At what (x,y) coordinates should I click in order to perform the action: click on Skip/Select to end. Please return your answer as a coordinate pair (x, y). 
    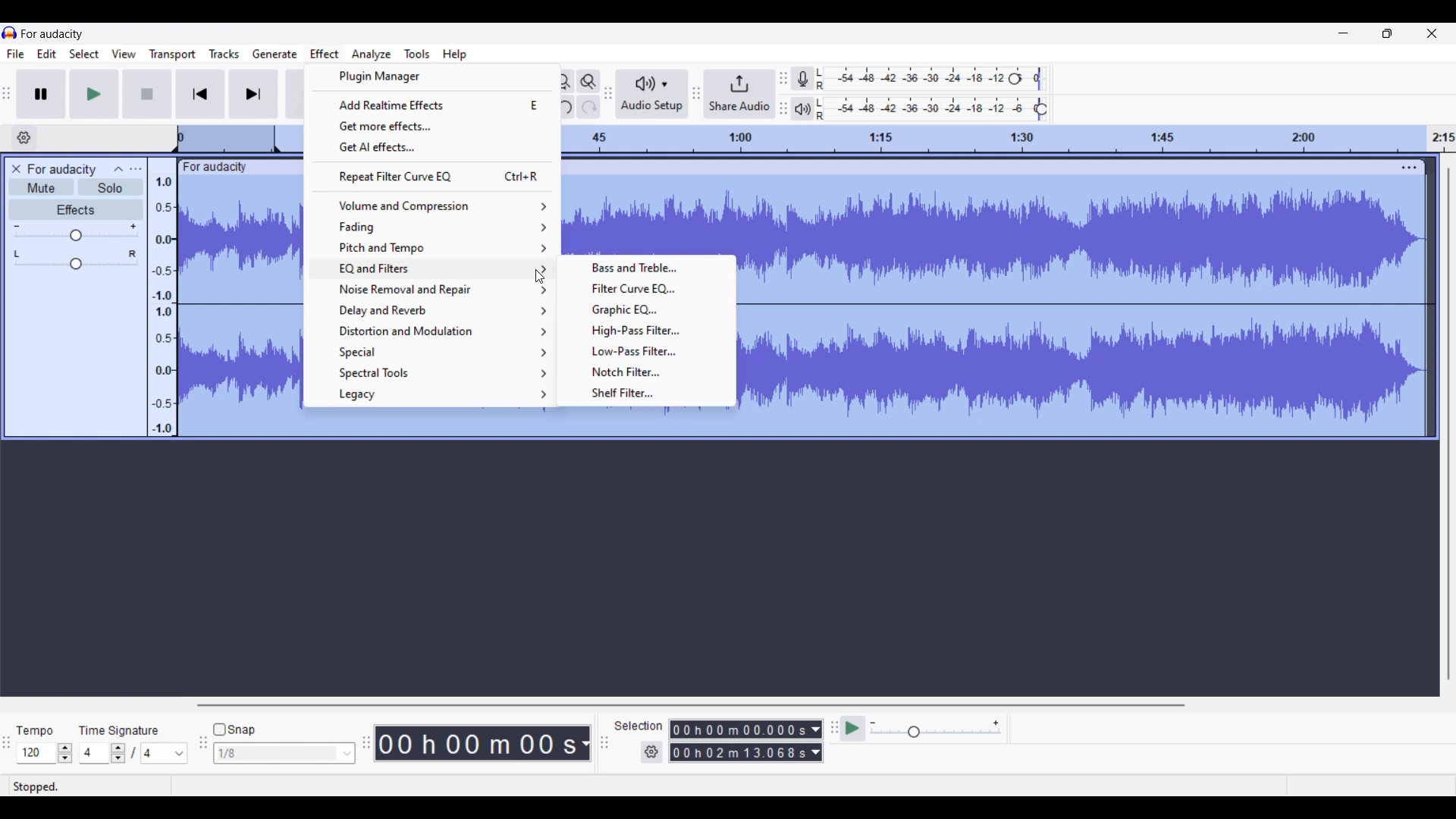
    Looking at the image, I should click on (254, 94).